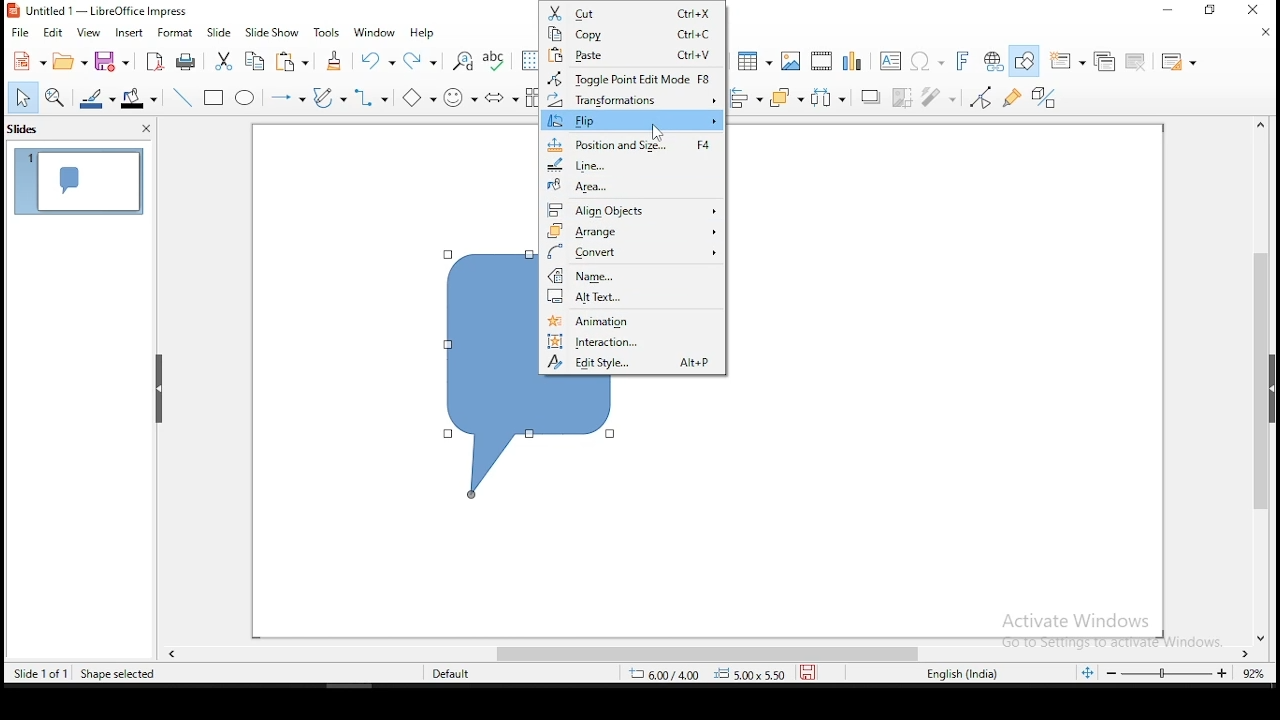 The image size is (1280, 720). What do you see at coordinates (632, 188) in the screenshot?
I see `area` at bounding box center [632, 188].